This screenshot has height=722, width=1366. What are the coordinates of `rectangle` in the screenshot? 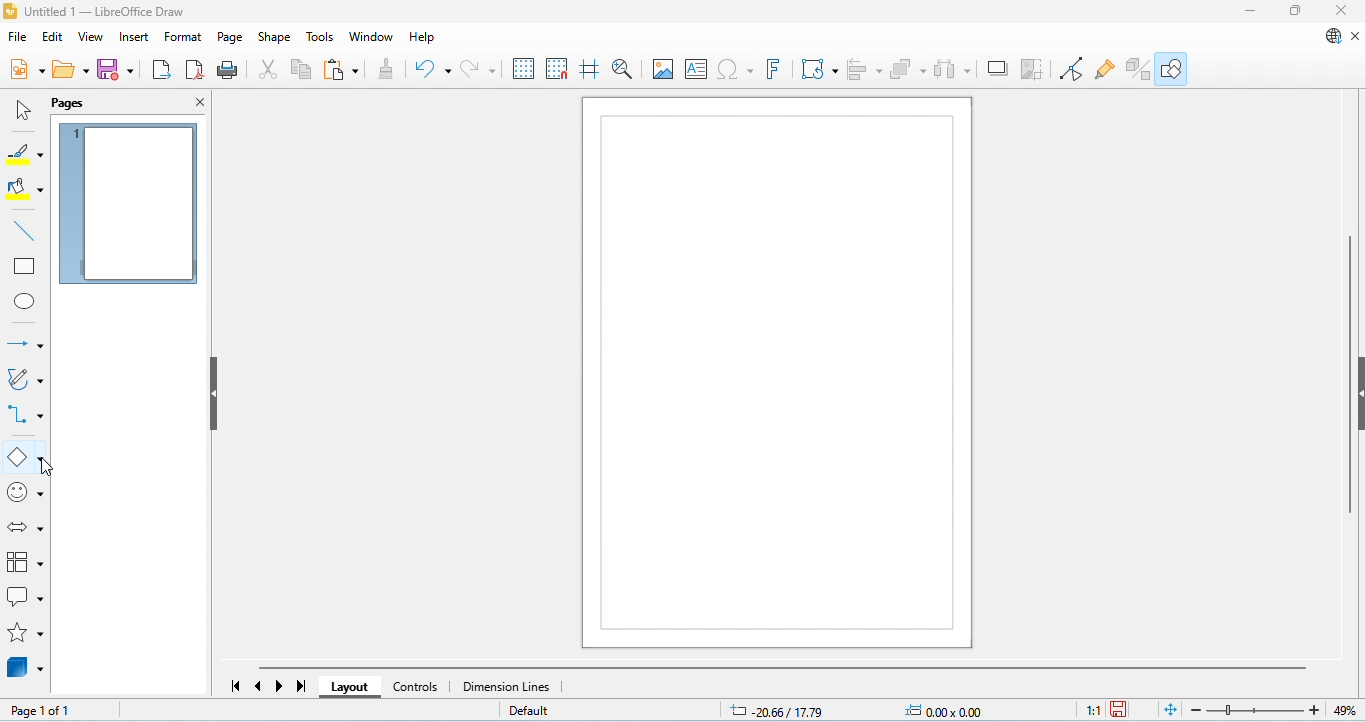 It's located at (26, 267).